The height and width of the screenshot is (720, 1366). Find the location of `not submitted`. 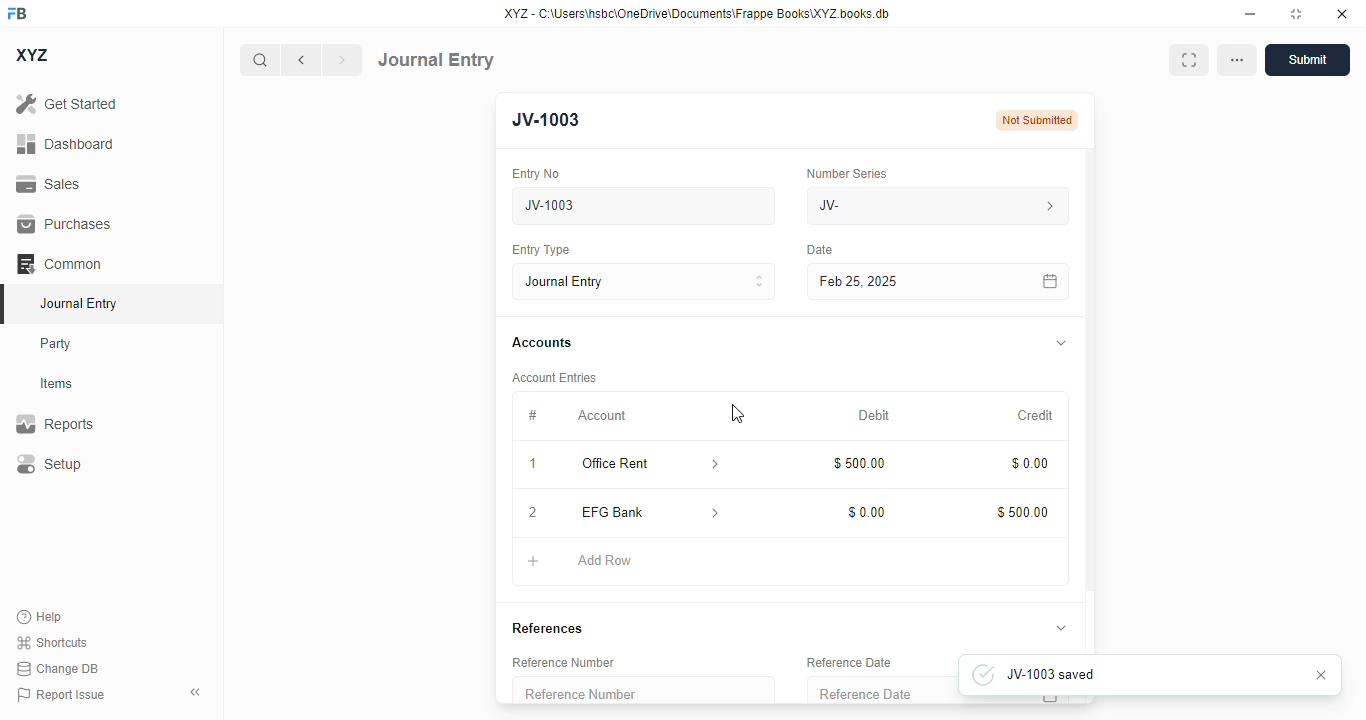

not submitted is located at coordinates (1037, 121).